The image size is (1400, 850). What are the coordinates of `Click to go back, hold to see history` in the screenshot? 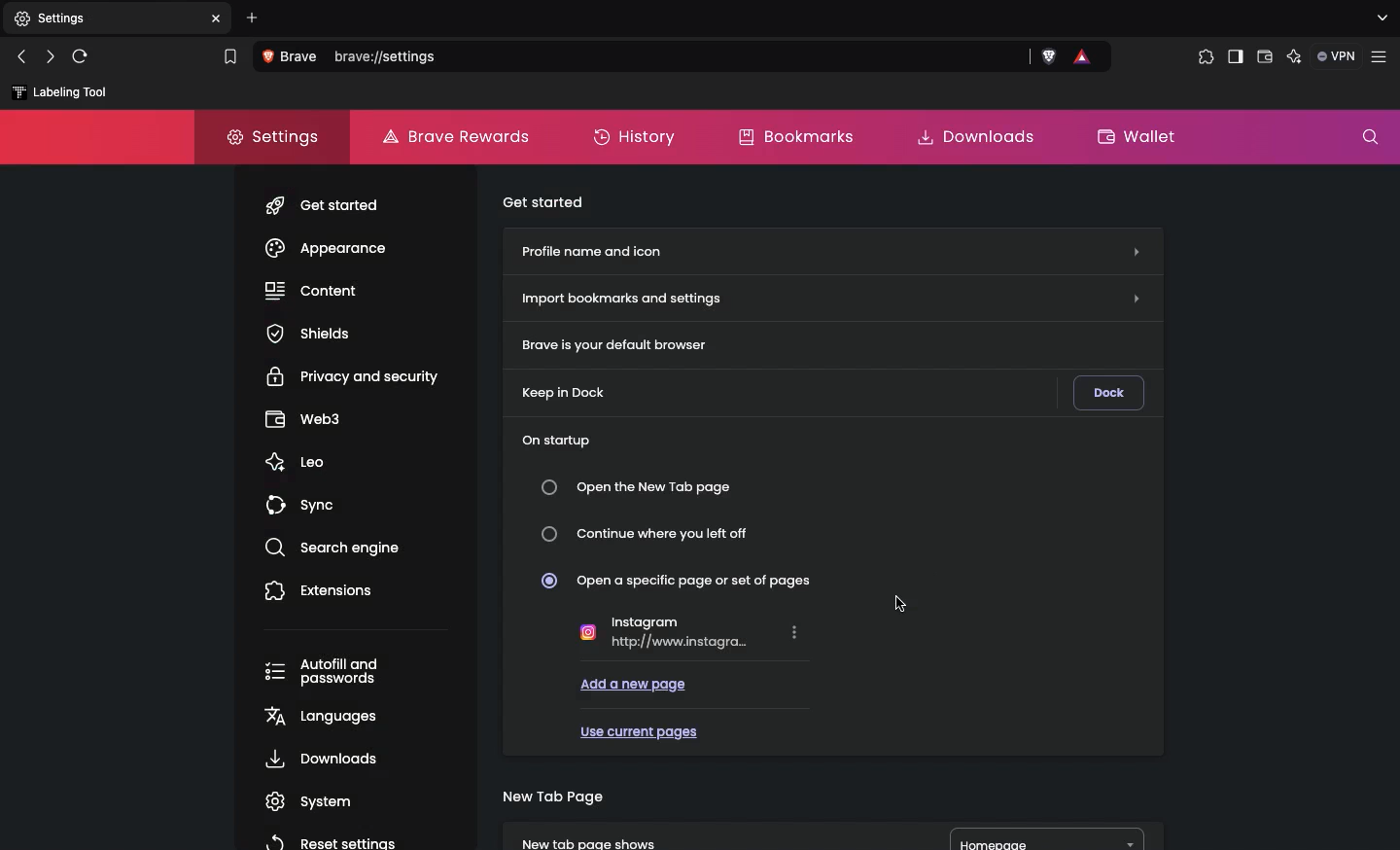 It's located at (20, 57).